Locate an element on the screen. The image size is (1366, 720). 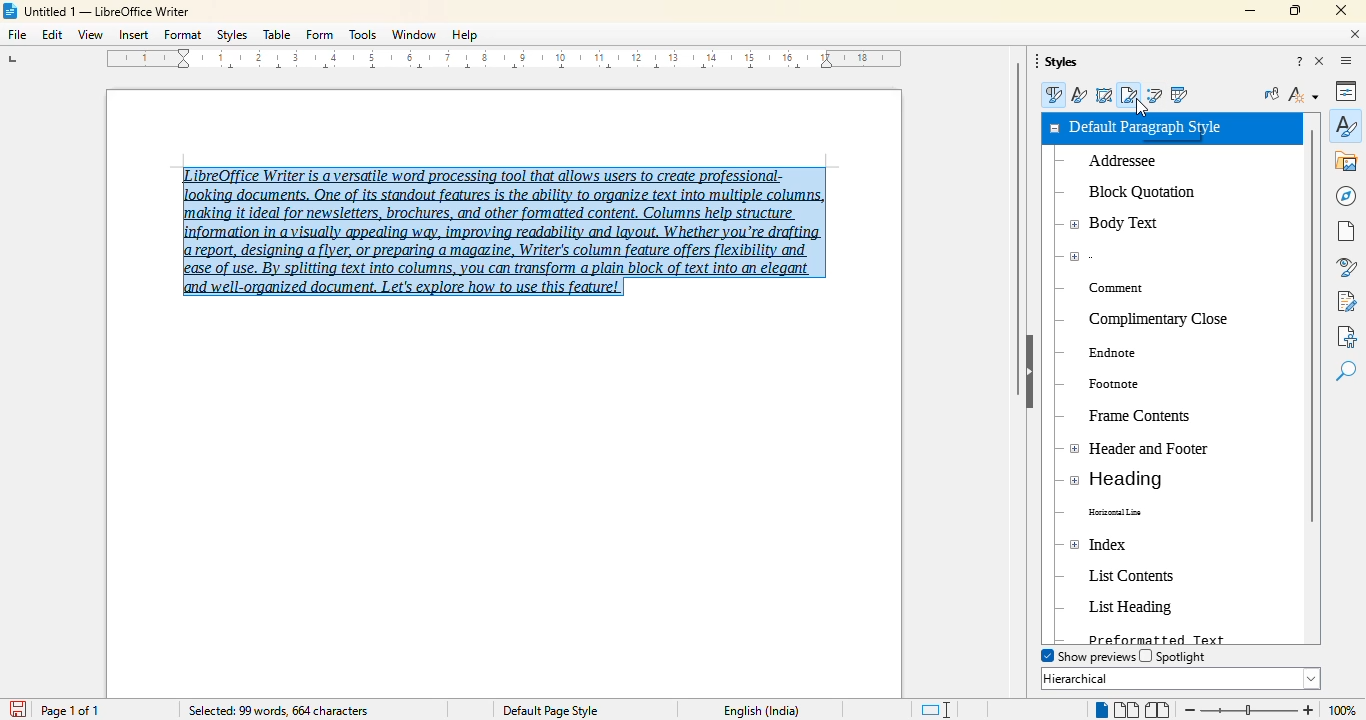
multi-page view is located at coordinates (1125, 709).